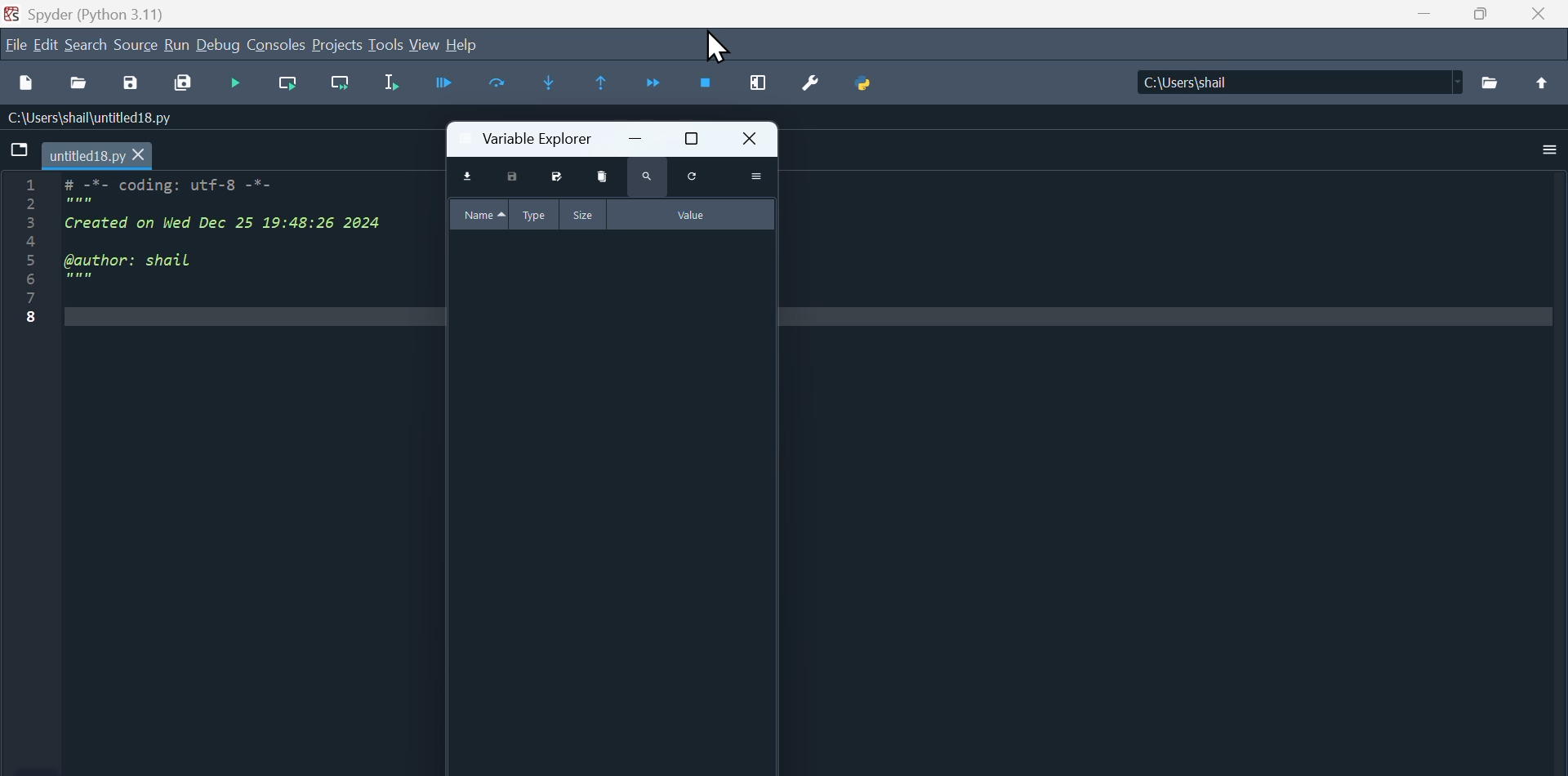 The image size is (1568, 776). I want to click on # -*- coding: utf-8 -*-Created on Wed Dec 25 19:48:26 2024@author: shail, so click(246, 270).